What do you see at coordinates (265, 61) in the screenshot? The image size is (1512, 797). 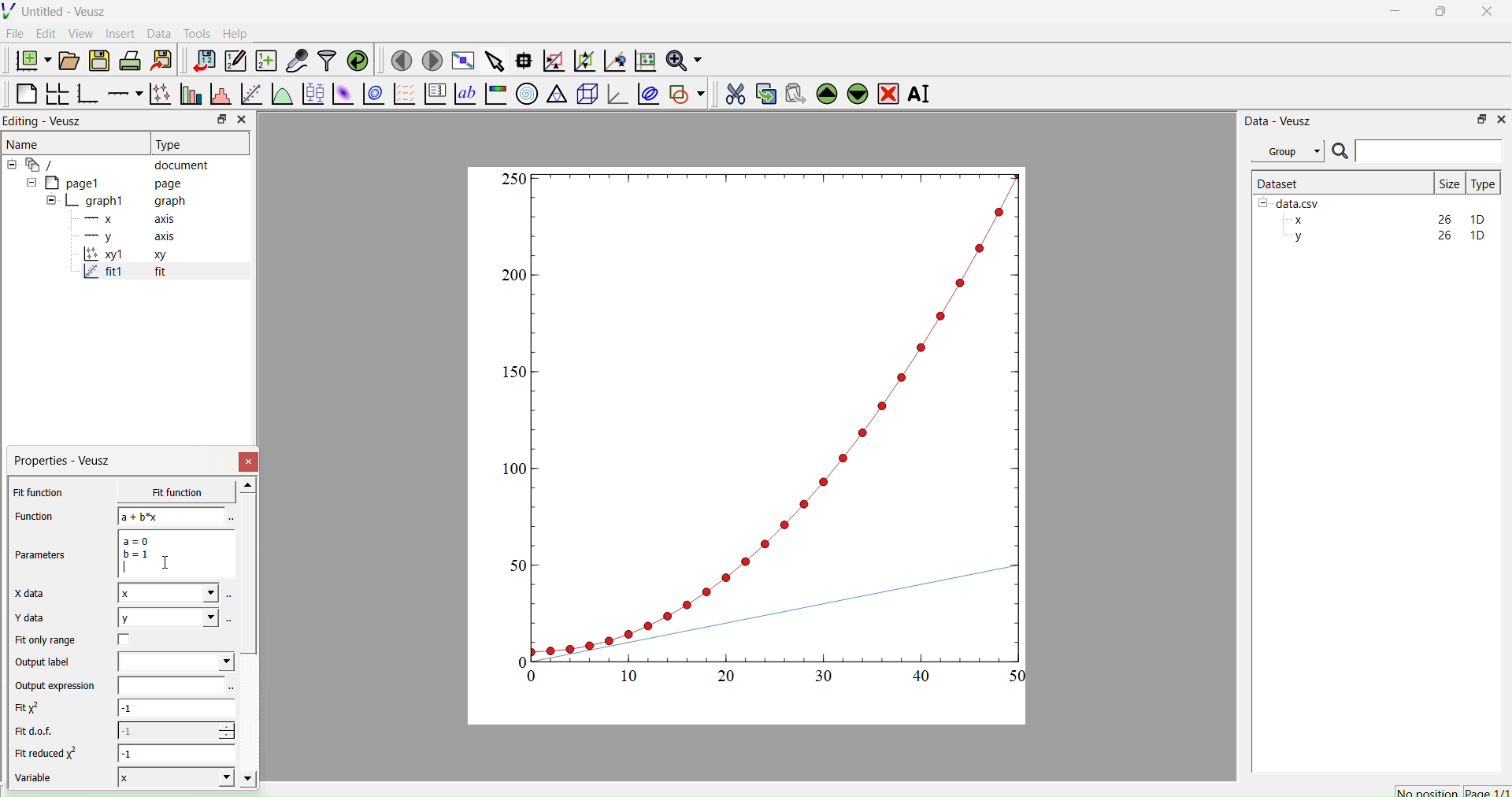 I see `Create a new dataset` at bounding box center [265, 61].